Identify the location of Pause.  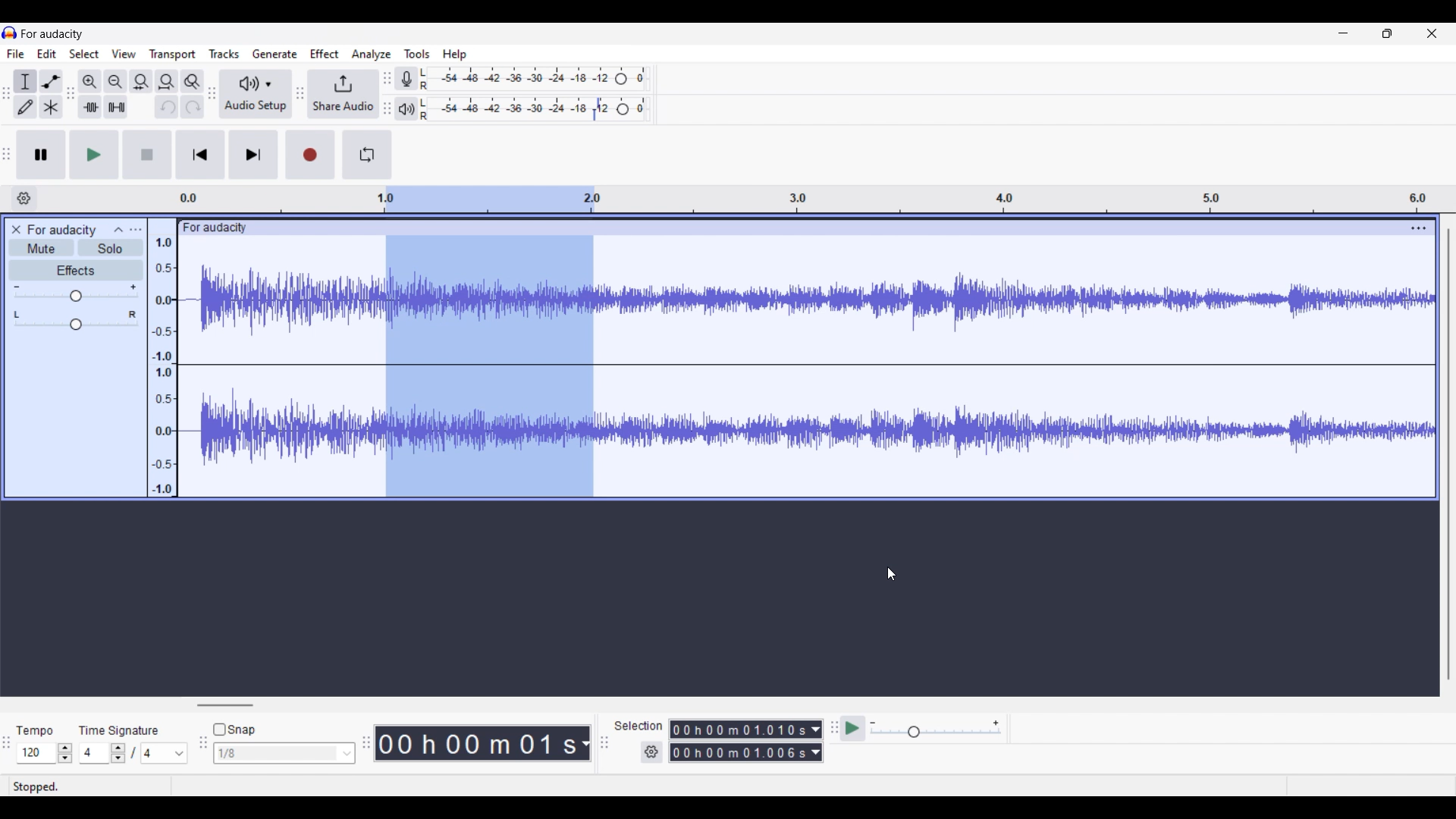
(41, 155).